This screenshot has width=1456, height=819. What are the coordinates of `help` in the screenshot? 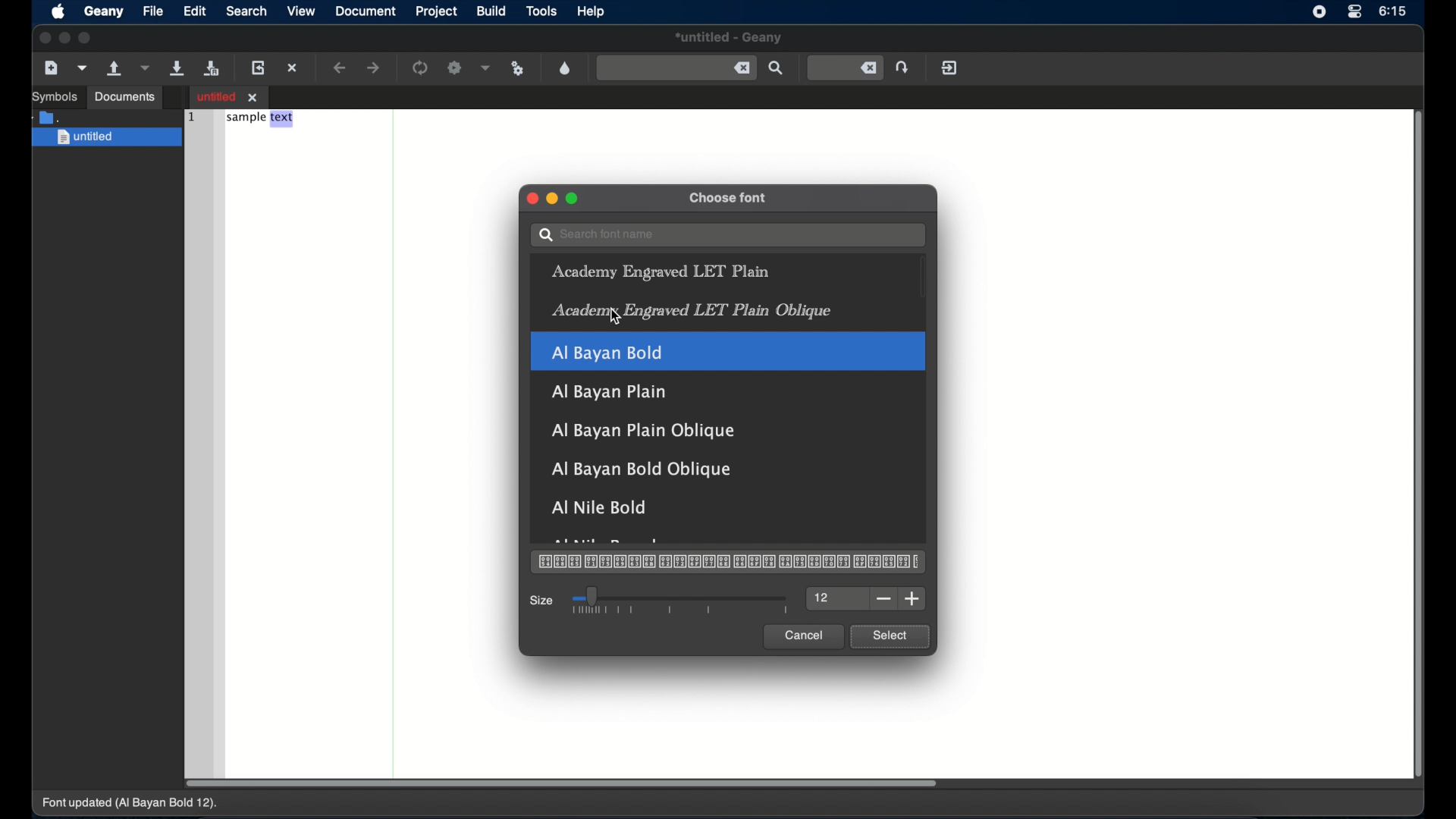 It's located at (591, 11).